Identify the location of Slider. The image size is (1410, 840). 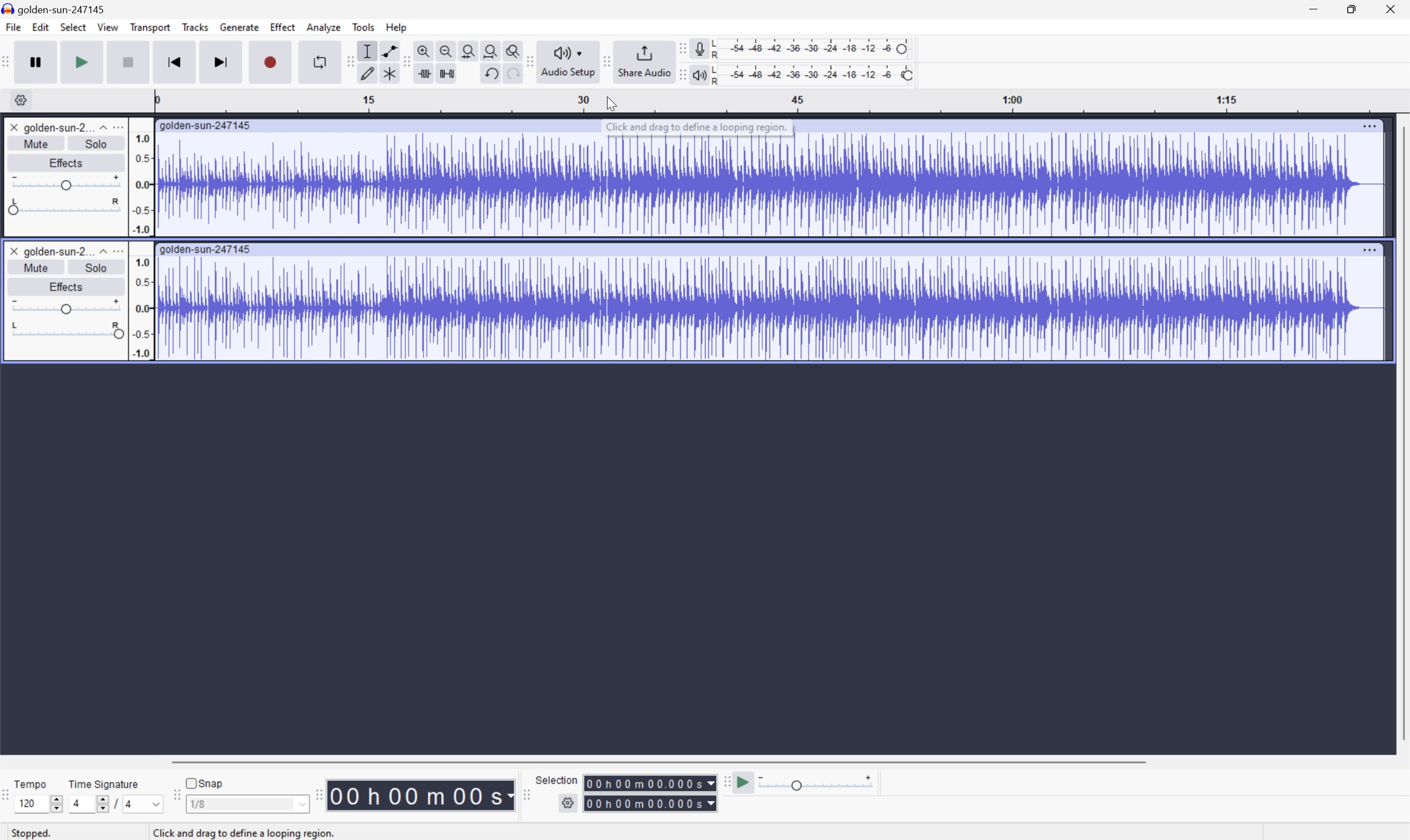
(63, 183).